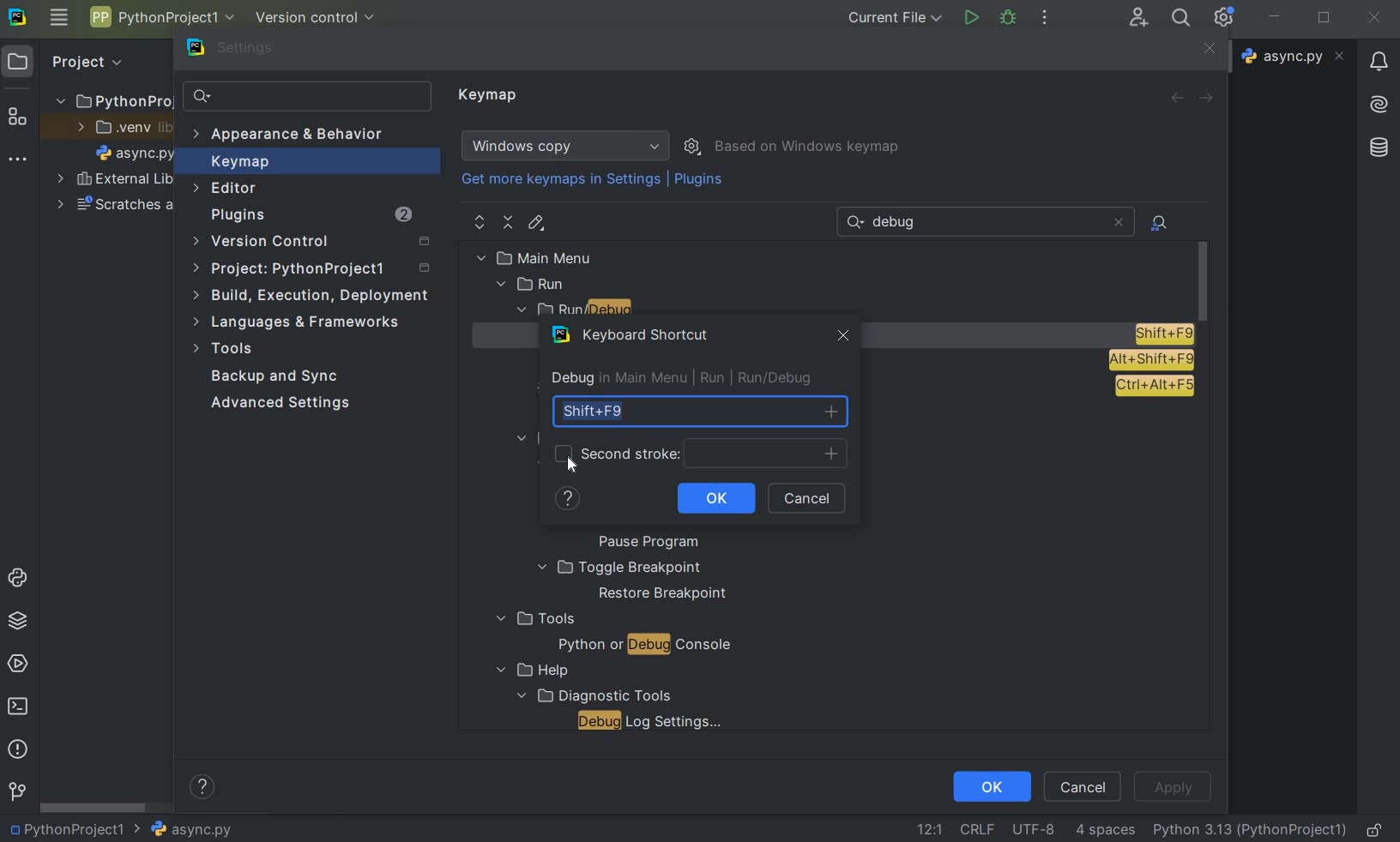  Describe the element at coordinates (1083, 785) in the screenshot. I see `cancel` at that location.